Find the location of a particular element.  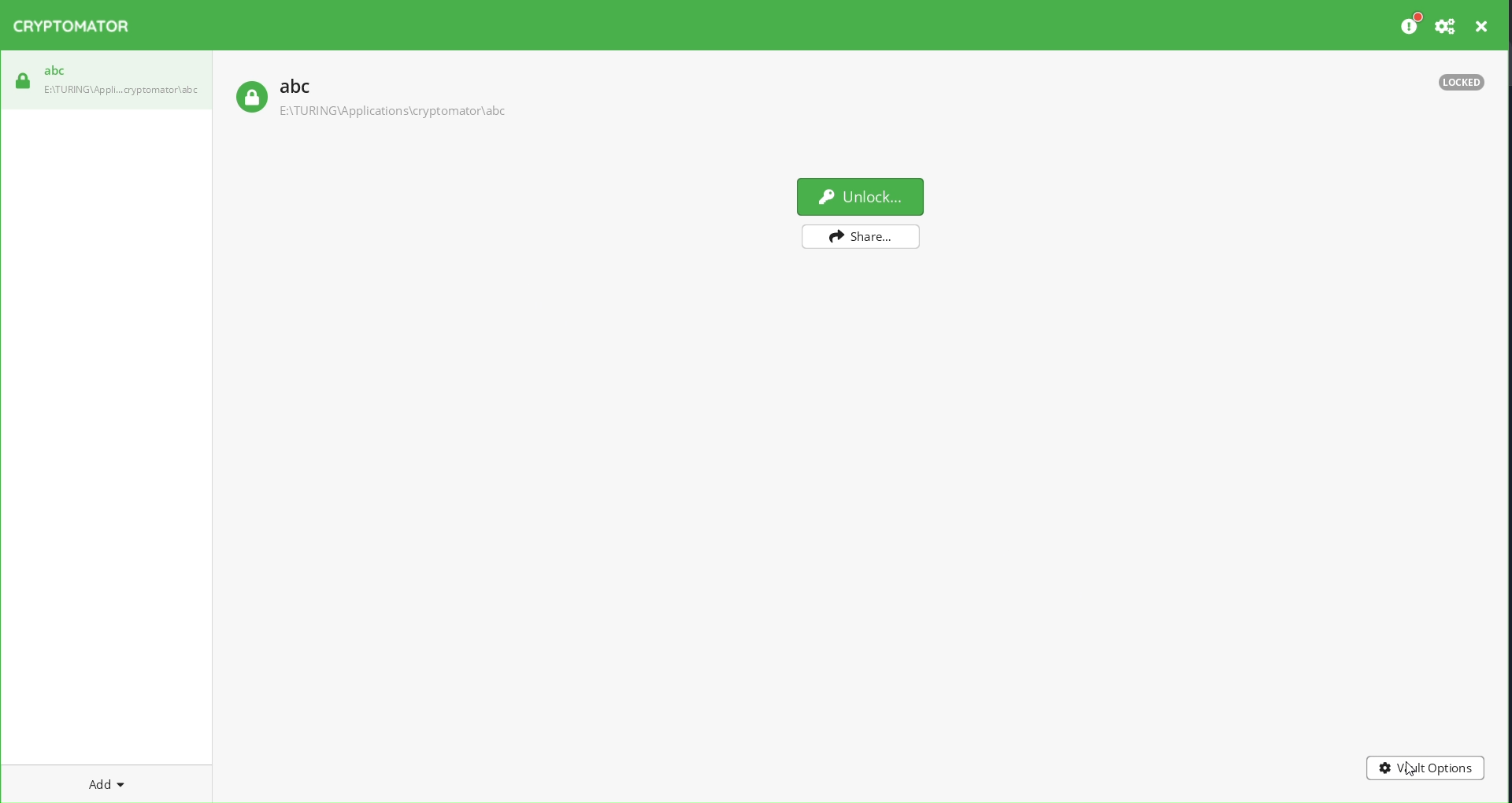

vault options is located at coordinates (1424, 766).